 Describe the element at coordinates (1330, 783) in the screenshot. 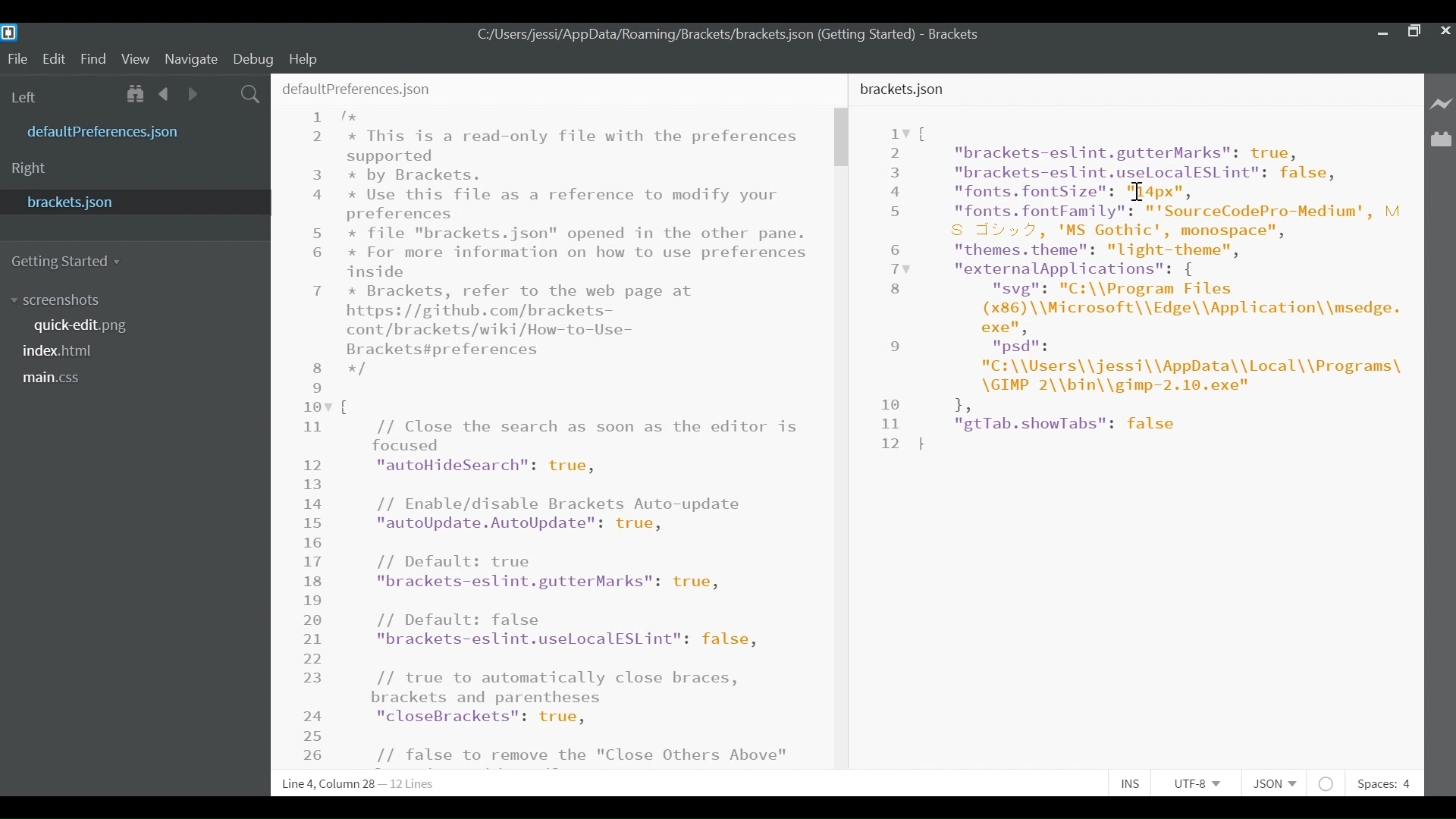

I see `No lintel Available for JSON` at that location.